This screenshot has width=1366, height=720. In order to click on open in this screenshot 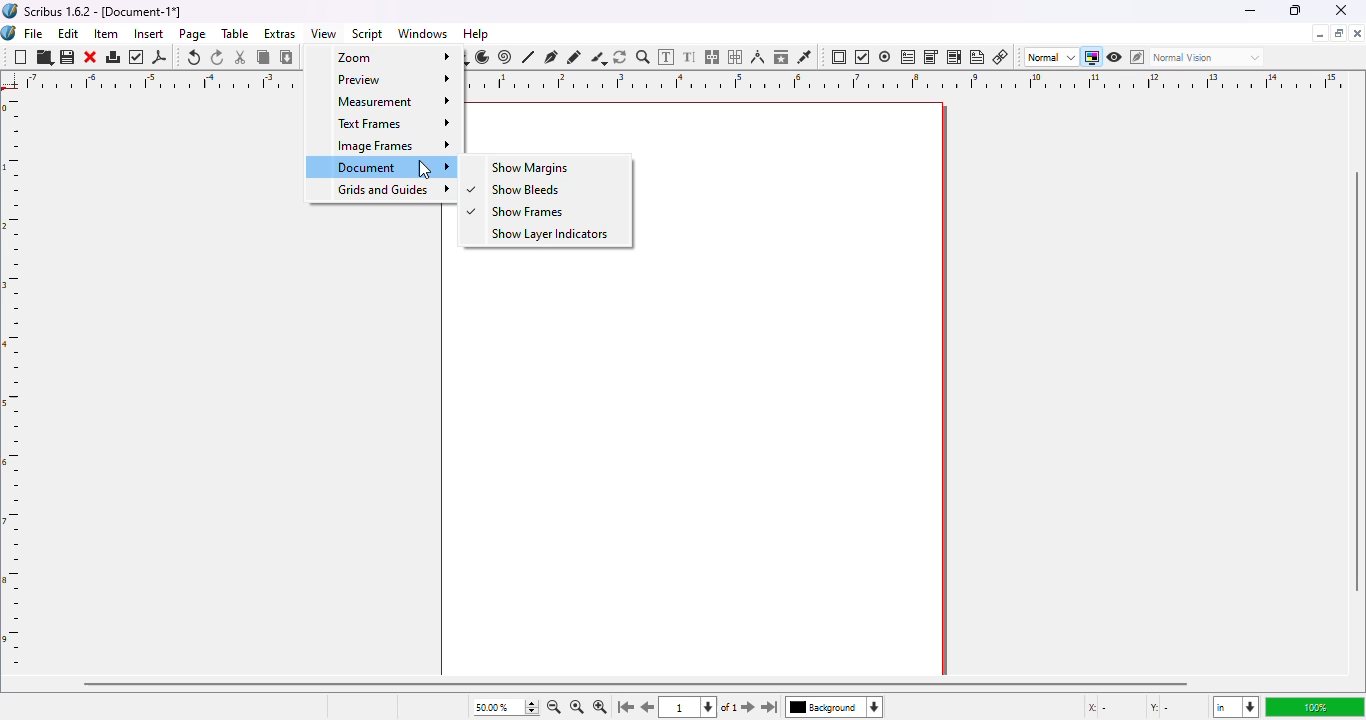, I will do `click(45, 58)`.